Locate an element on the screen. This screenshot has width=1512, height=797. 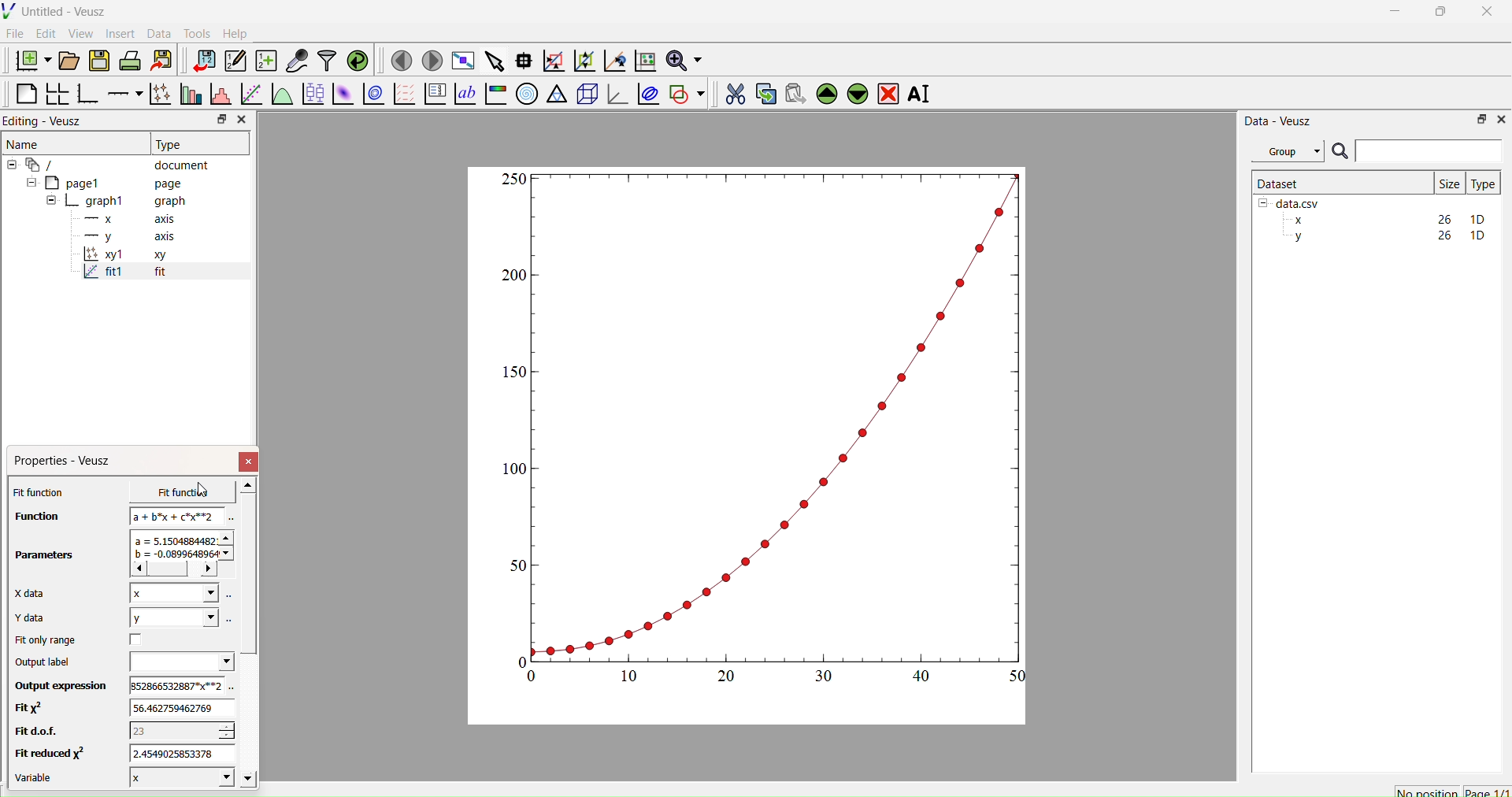
Help is located at coordinates (233, 33).